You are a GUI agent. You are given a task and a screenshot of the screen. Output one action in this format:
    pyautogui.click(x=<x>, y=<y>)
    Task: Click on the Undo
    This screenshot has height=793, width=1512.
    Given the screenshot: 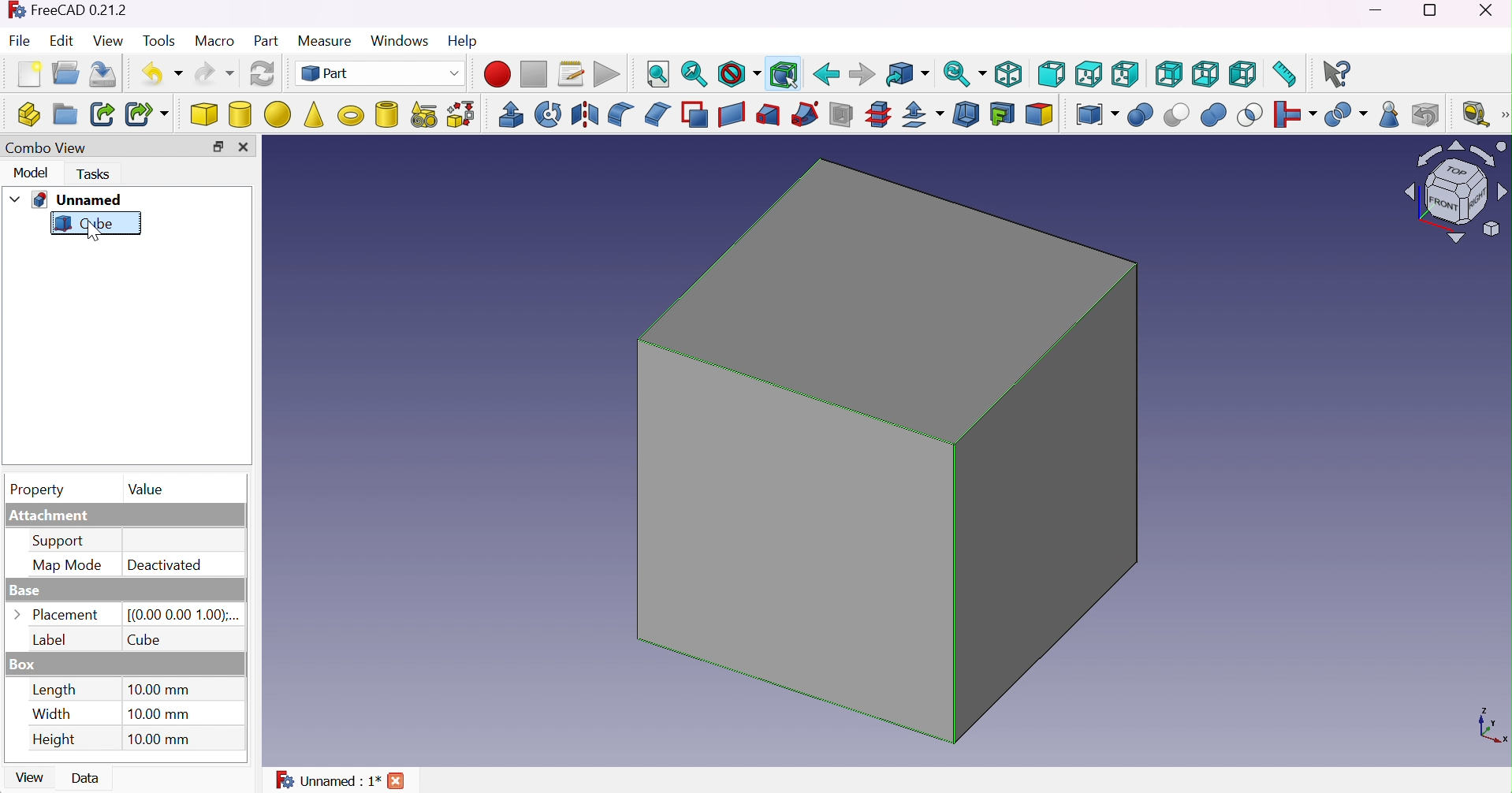 What is the action you would take?
    pyautogui.click(x=158, y=73)
    